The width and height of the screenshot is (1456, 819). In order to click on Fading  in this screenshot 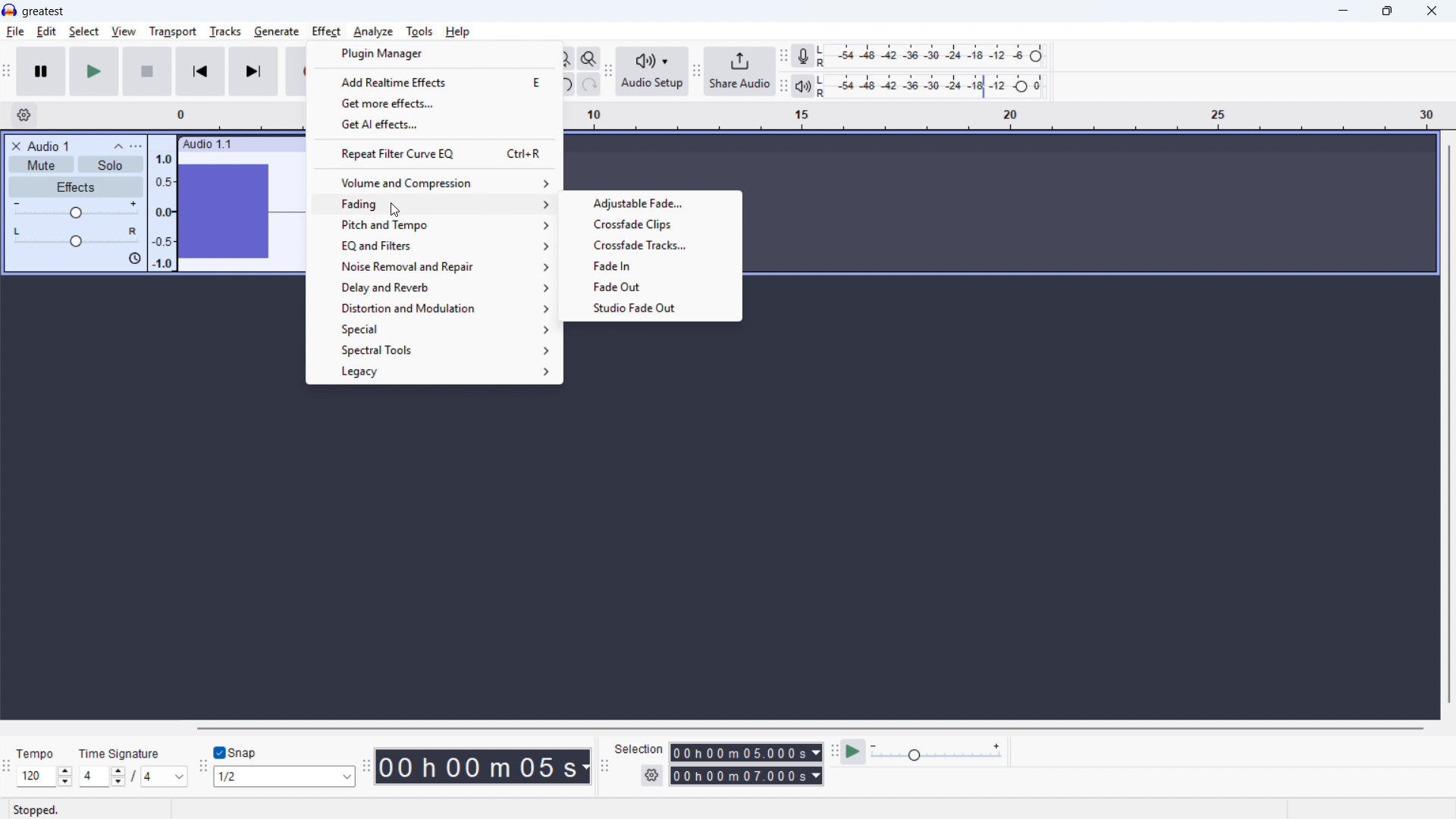, I will do `click(436, 204)`.